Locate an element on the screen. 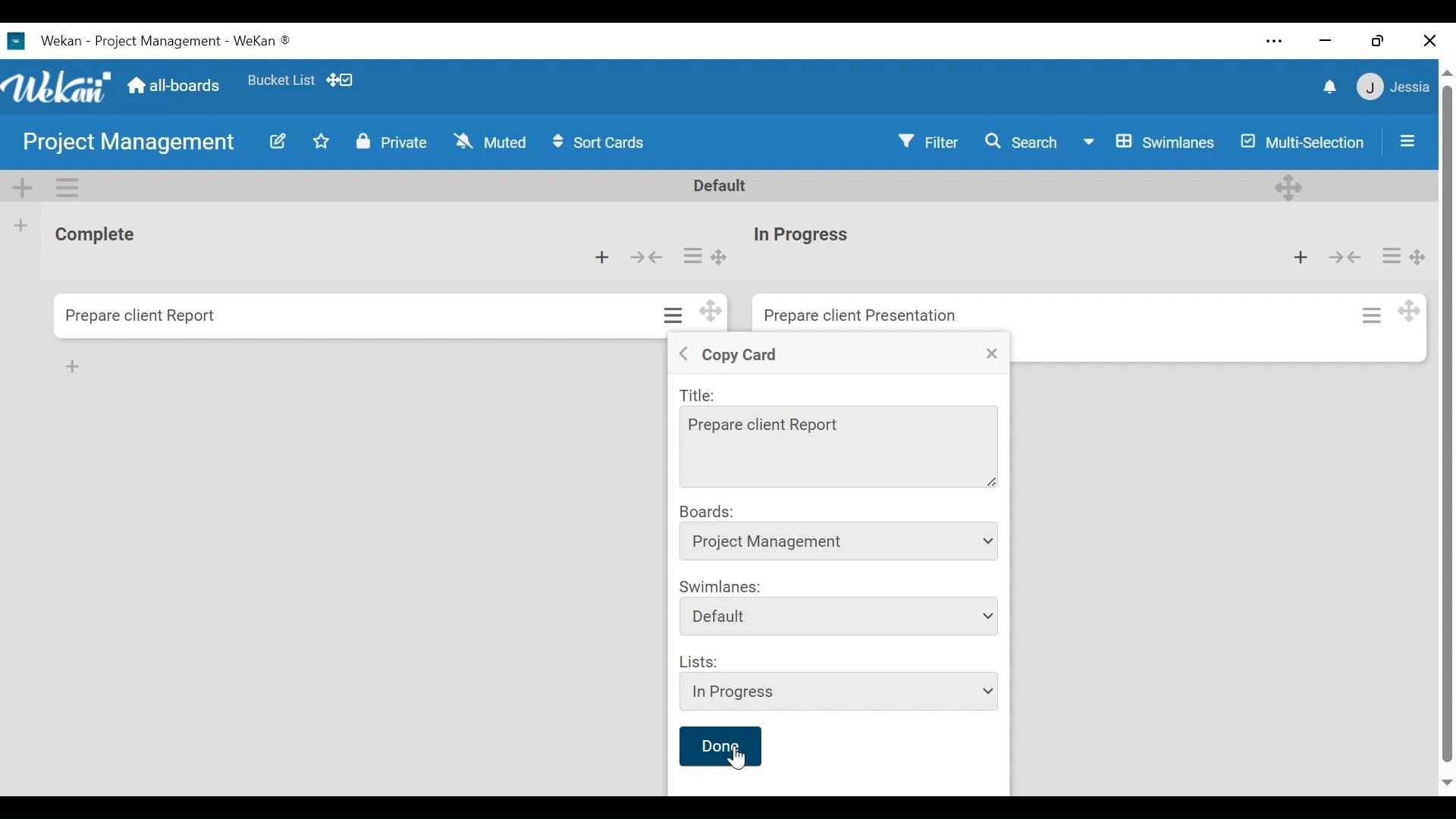  Toggle favorites is located at coordinates (322, 142).